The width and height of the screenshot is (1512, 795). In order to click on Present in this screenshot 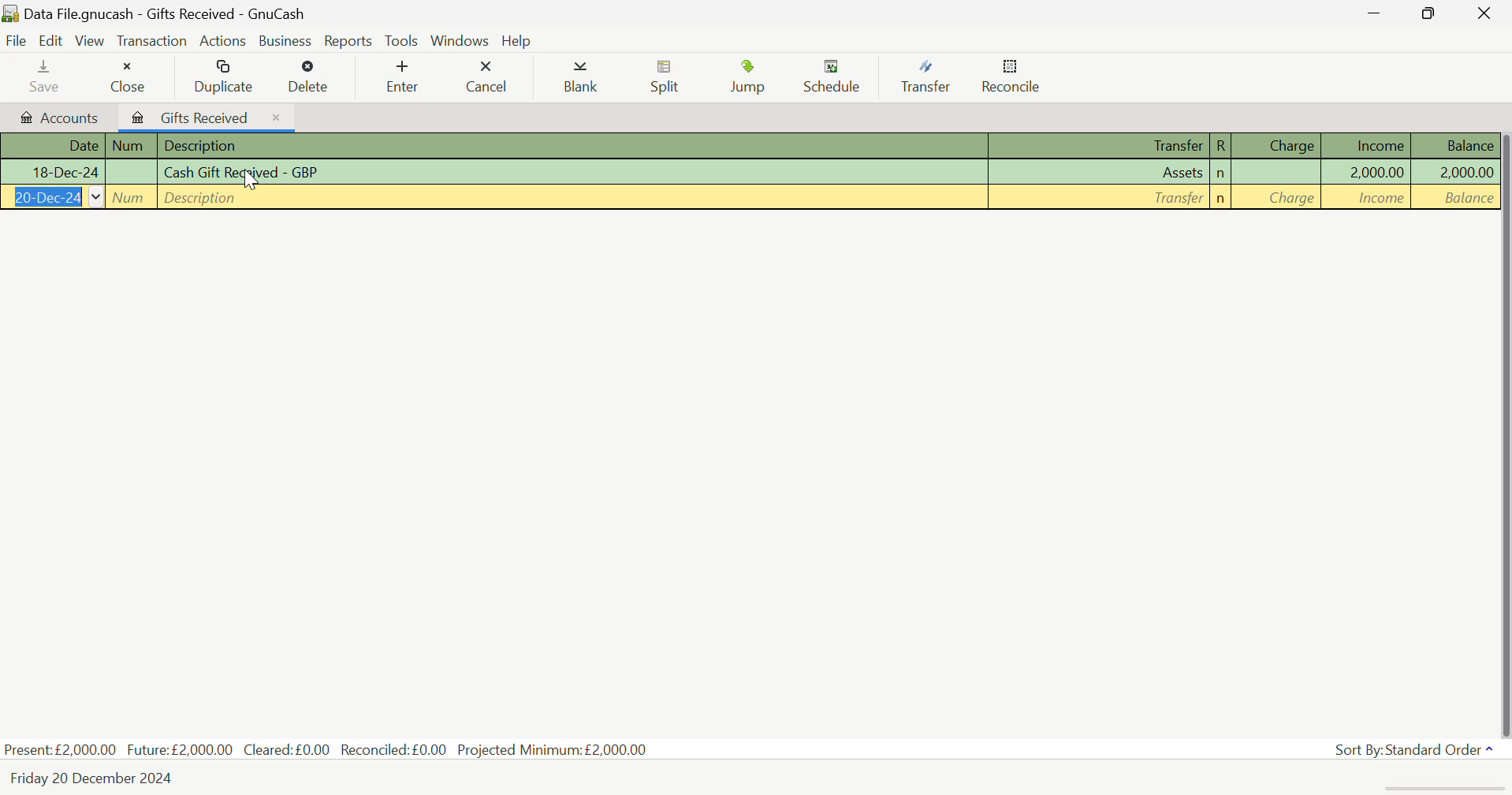, I will do `click(61, 749)`.